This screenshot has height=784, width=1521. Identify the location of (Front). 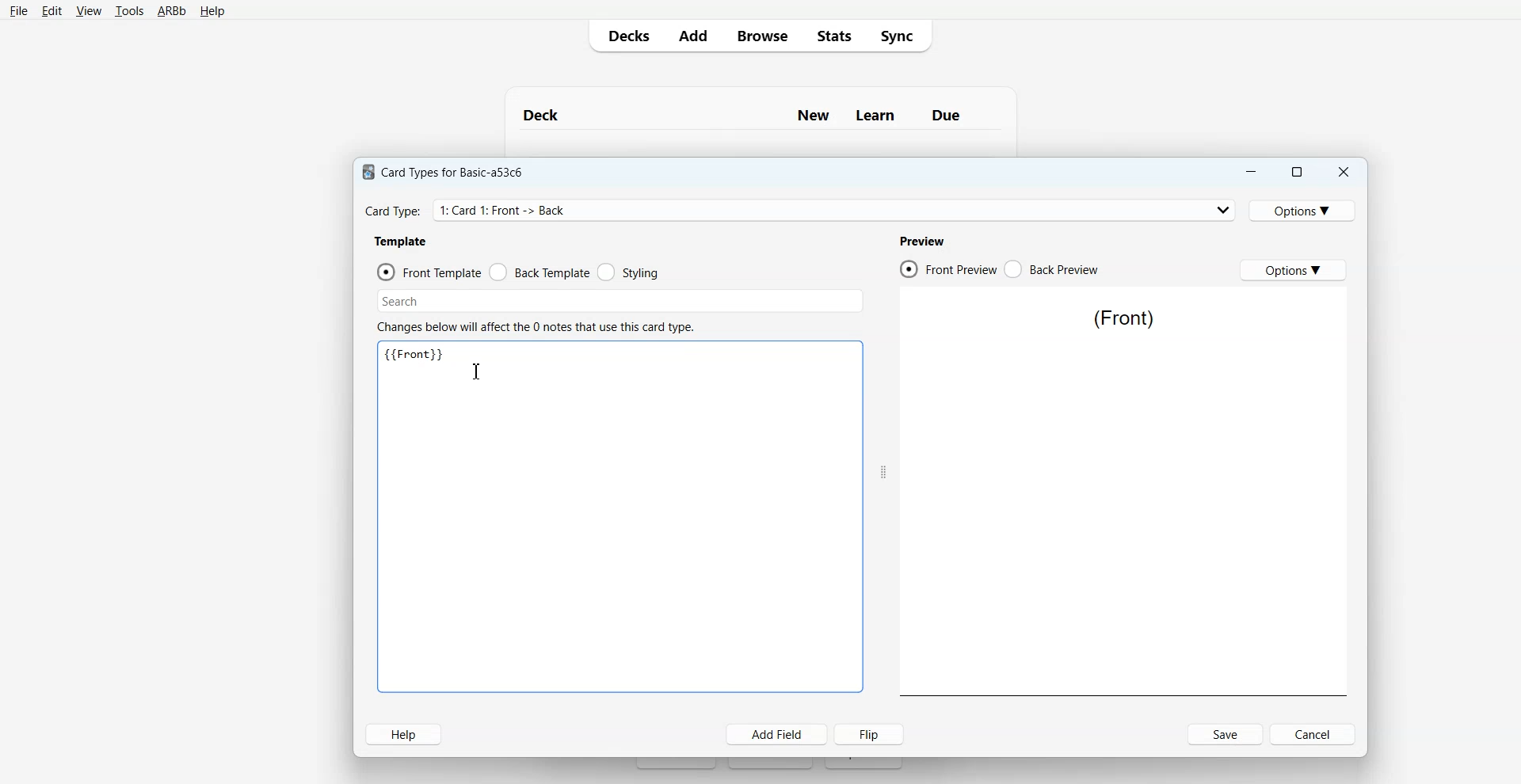
(1123, 318).